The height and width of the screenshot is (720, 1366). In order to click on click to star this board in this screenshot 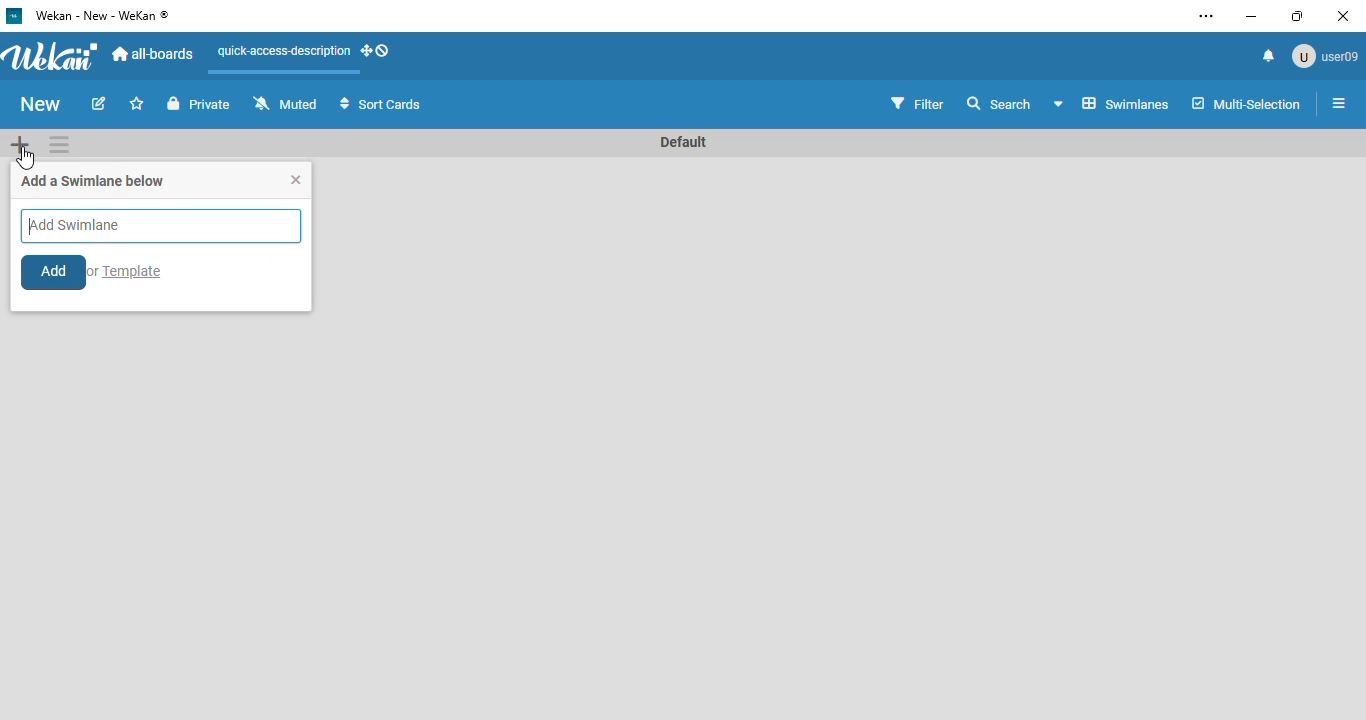, I will do `click(138, 103)`.